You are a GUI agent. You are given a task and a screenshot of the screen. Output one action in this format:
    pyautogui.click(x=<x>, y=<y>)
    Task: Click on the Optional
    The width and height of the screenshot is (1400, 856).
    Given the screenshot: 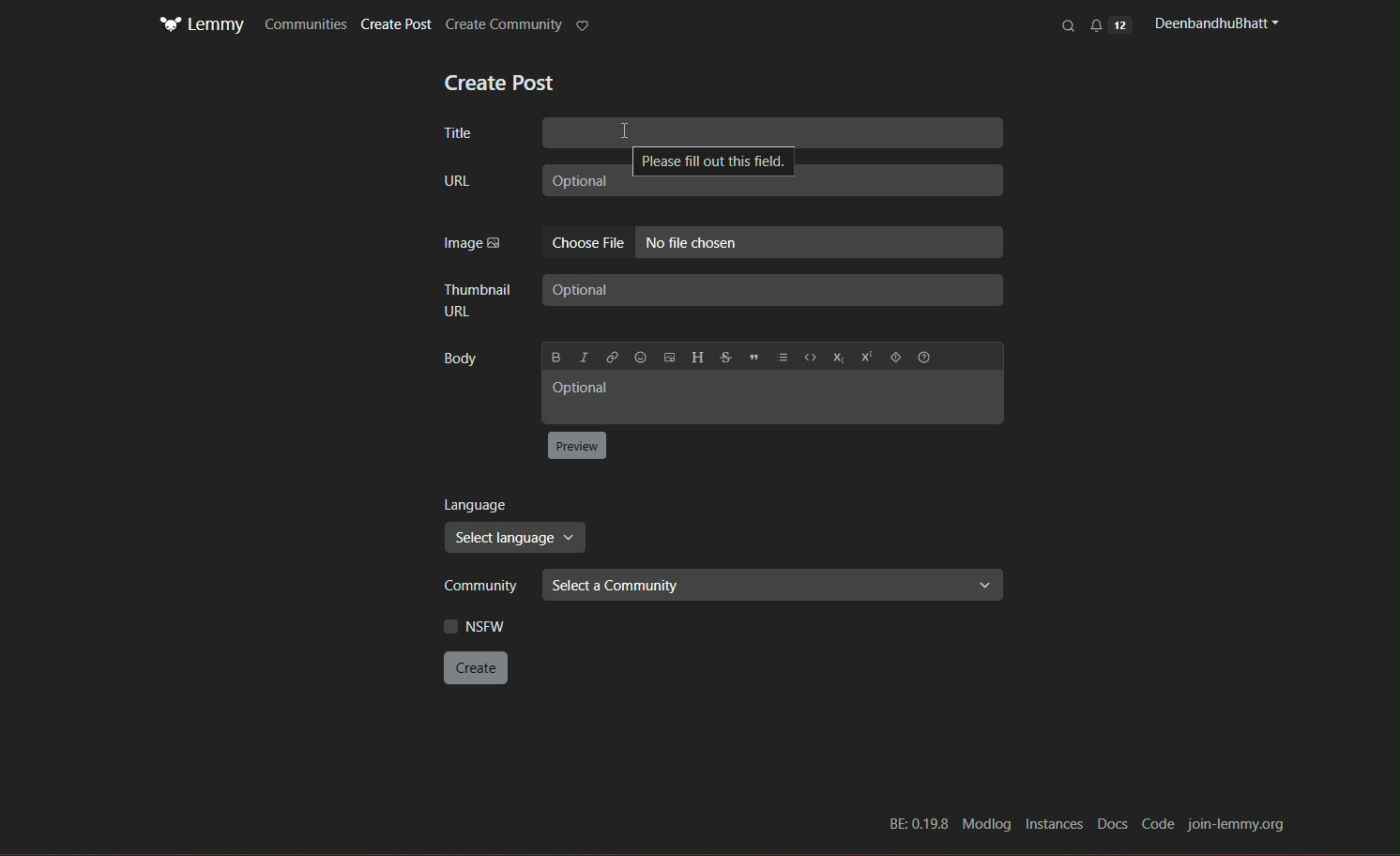 What is the action you would take?
    pyautogui.click(x=771, y=187)
    